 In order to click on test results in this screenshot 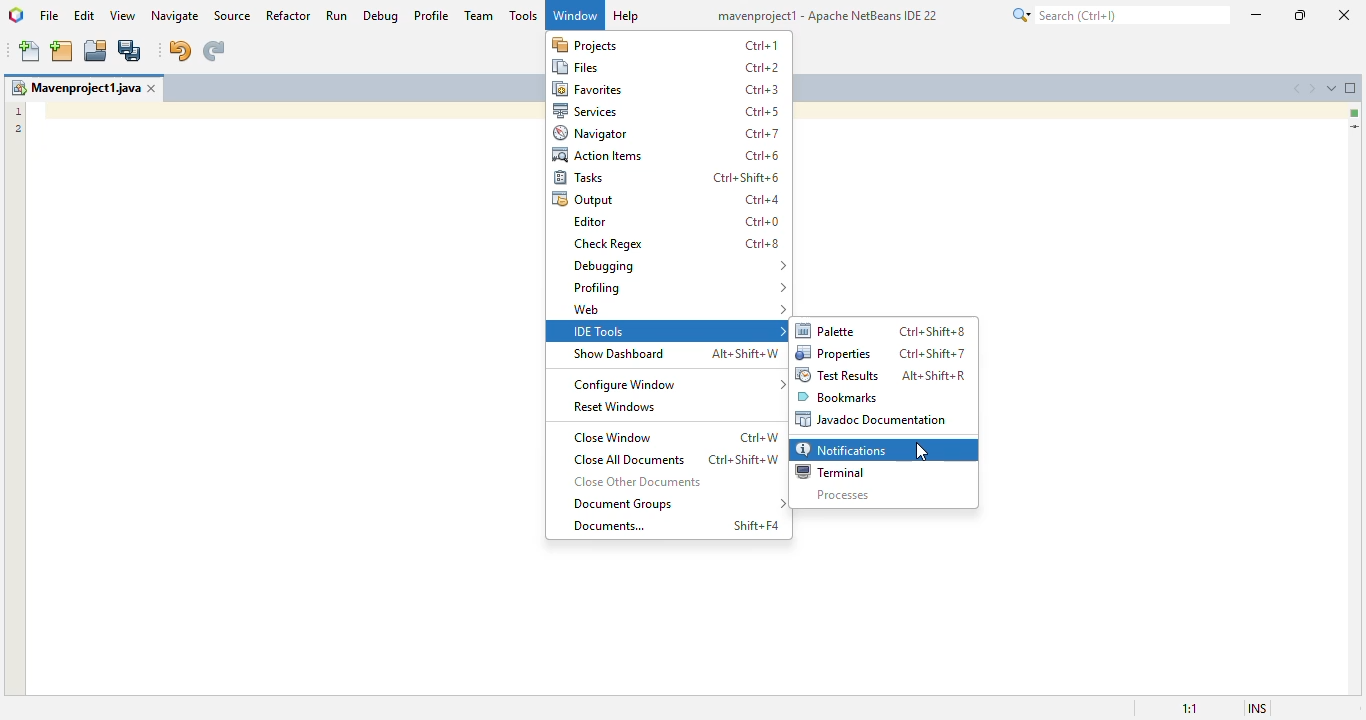, I will do `click(838, 375)`.